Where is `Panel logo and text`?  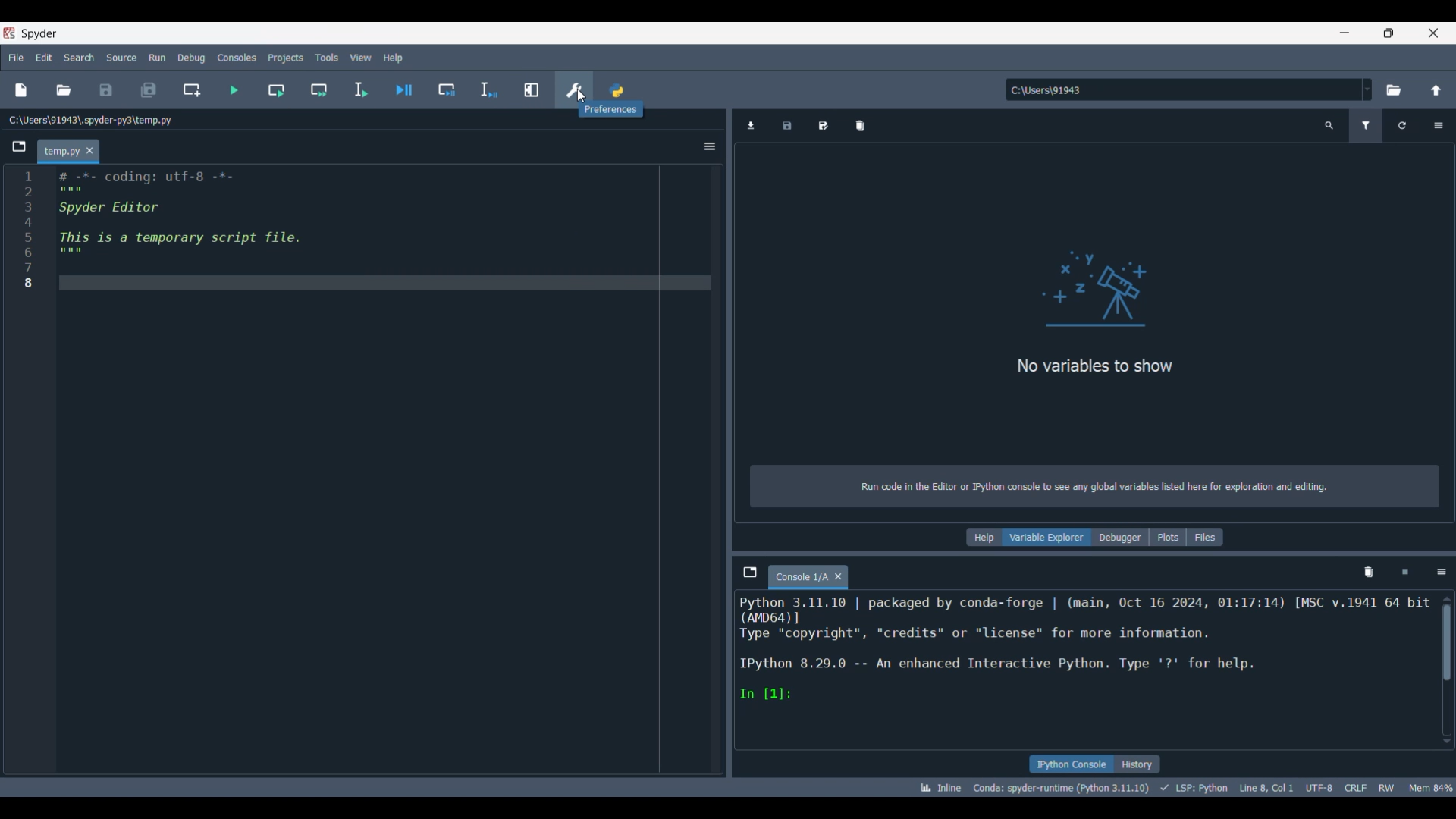
Panel logo and text is located at coordinates (1097, 377).